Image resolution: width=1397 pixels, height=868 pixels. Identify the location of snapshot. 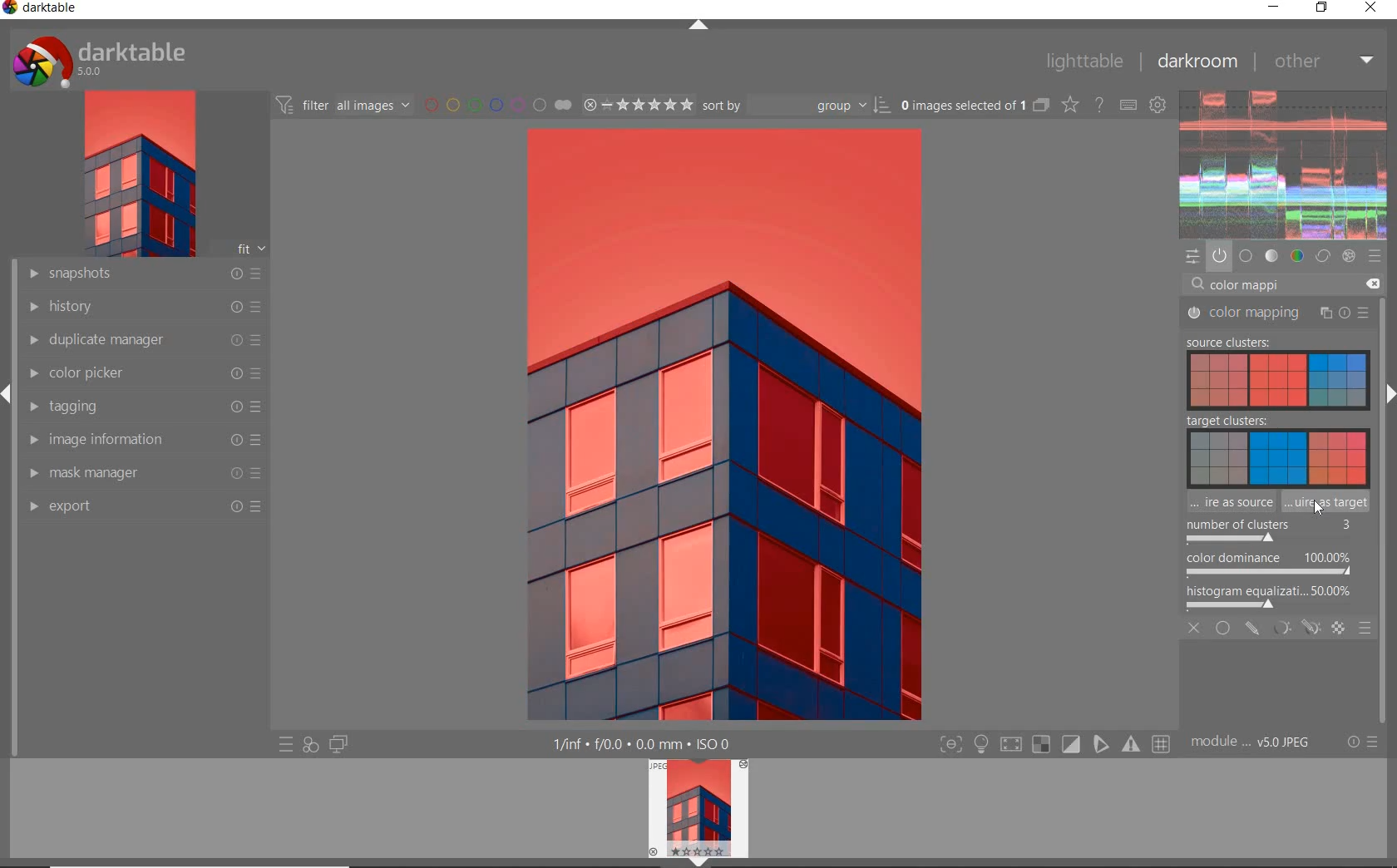
(146, 274).